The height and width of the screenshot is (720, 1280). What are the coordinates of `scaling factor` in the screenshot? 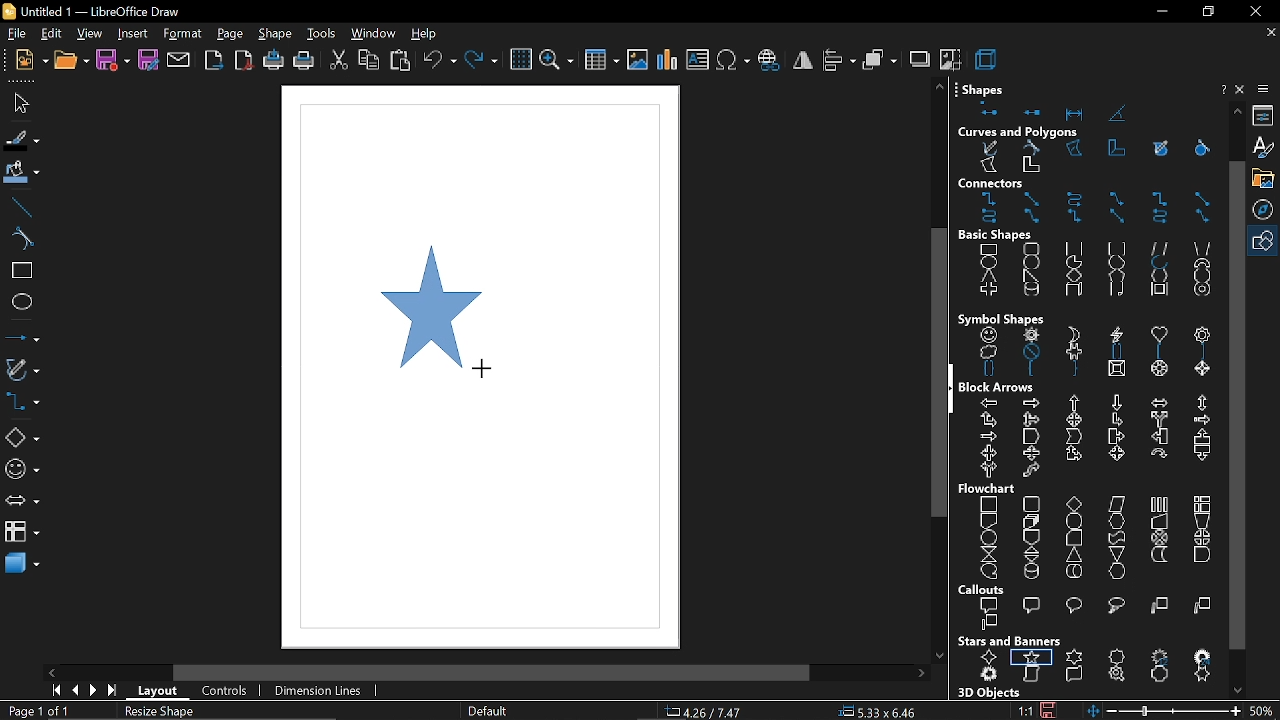 It's located at (1025, 710).